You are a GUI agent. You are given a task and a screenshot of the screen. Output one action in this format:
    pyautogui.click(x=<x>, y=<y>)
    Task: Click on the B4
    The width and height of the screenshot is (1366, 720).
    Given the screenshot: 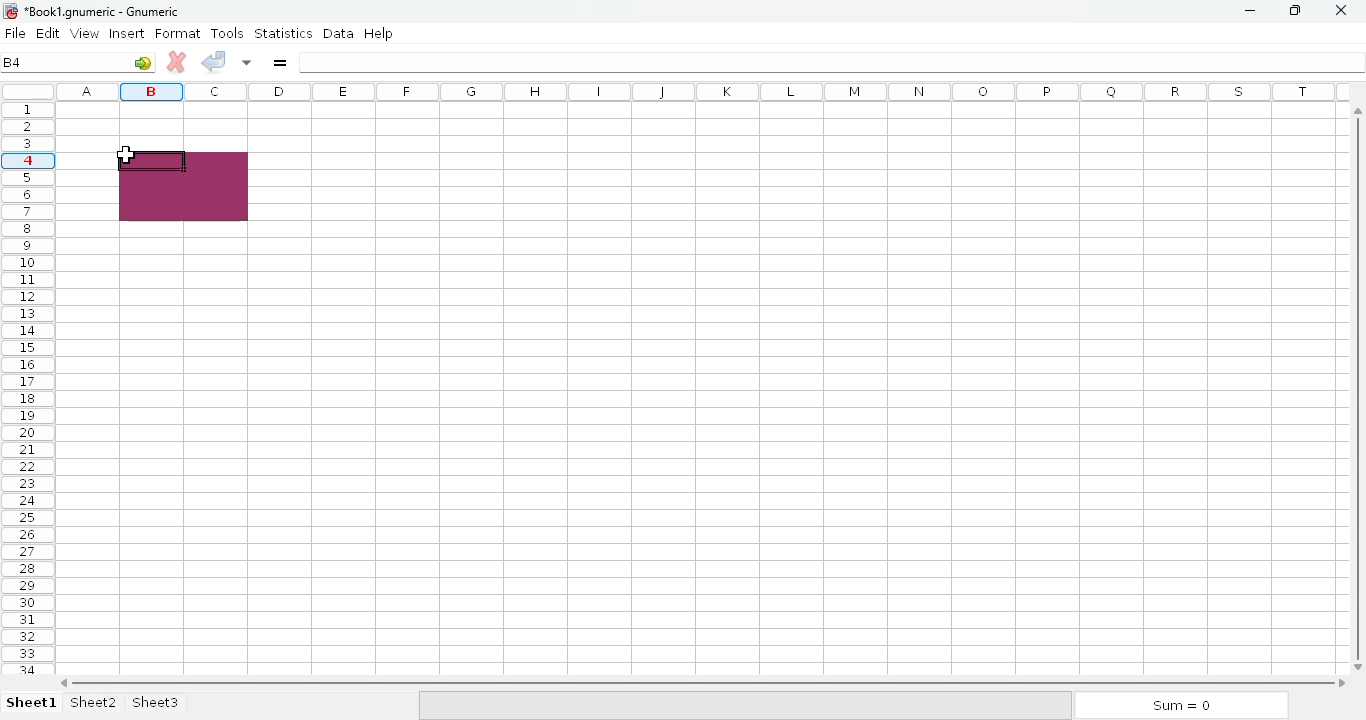 What is the action you would take?
    pyautogui.click(x=13, y=62)
    